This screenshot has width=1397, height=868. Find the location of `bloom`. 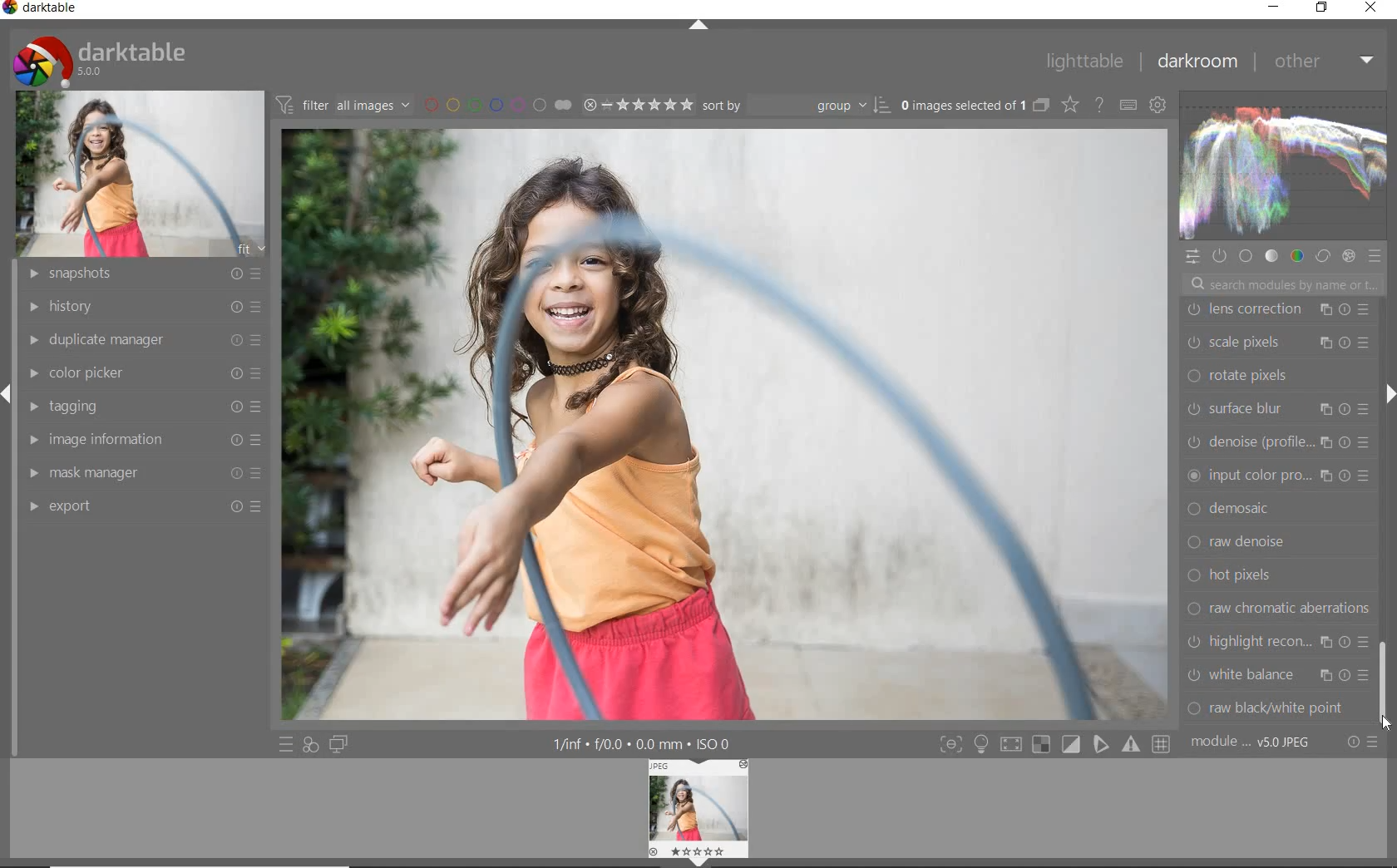

bloom is located at coordinates (1276, 713).